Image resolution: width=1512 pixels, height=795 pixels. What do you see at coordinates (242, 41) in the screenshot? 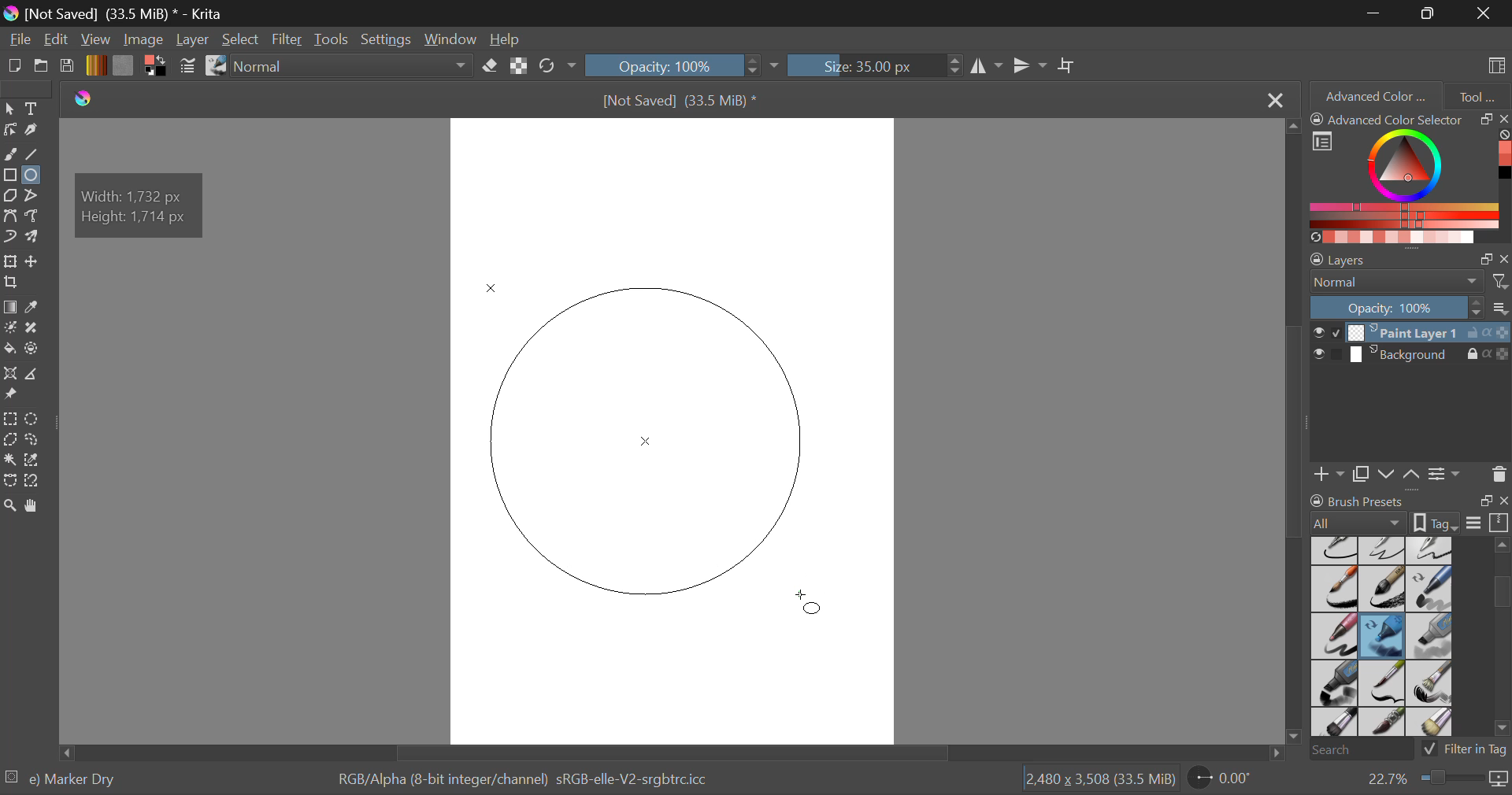
I see `Select` at bounding box center [242, 41].